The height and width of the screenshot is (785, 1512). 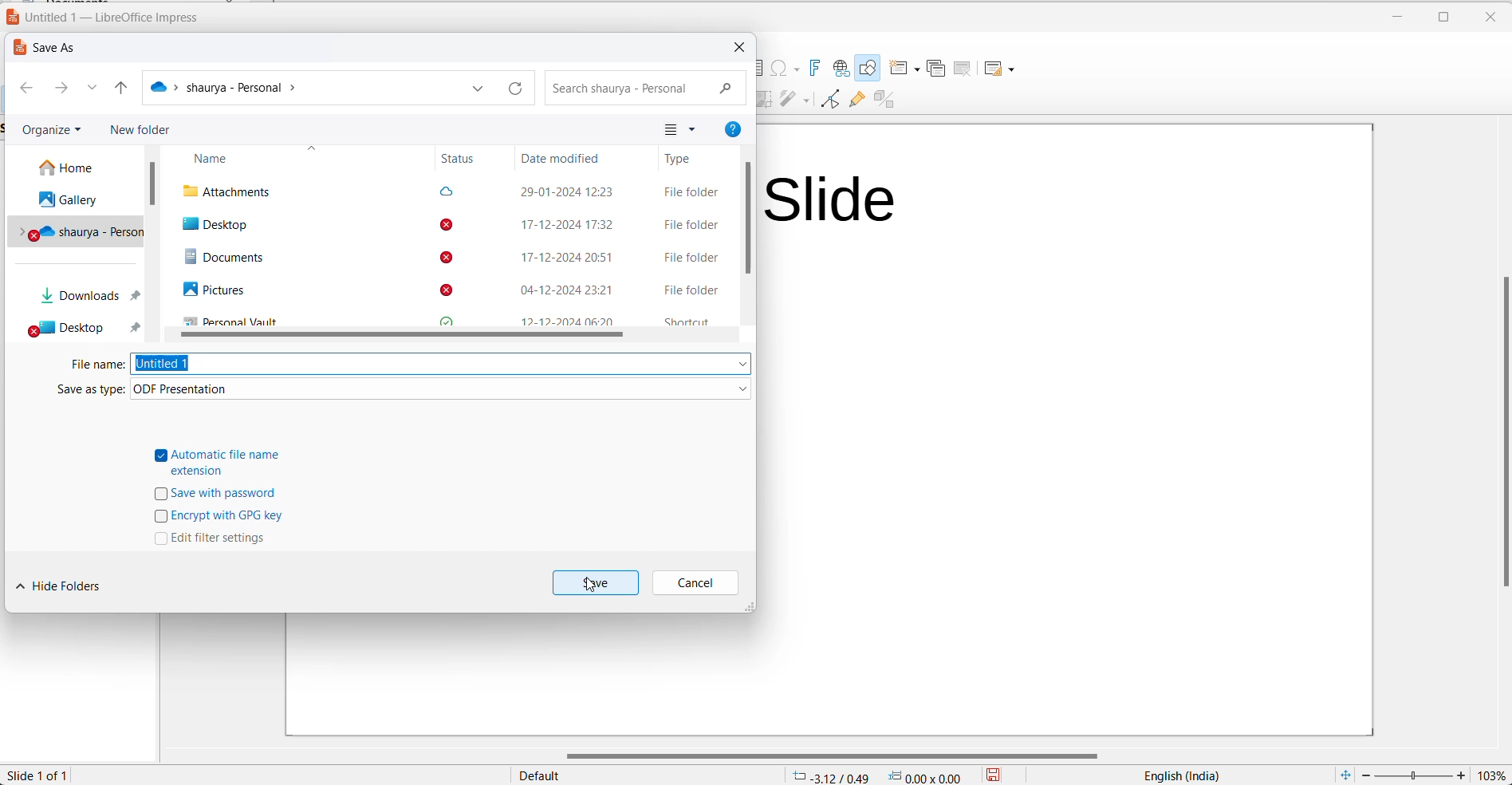 What do you see at coordinates (783, 69) in the screenshot?
I see `insert special characters` at bounding box center [783, 69].